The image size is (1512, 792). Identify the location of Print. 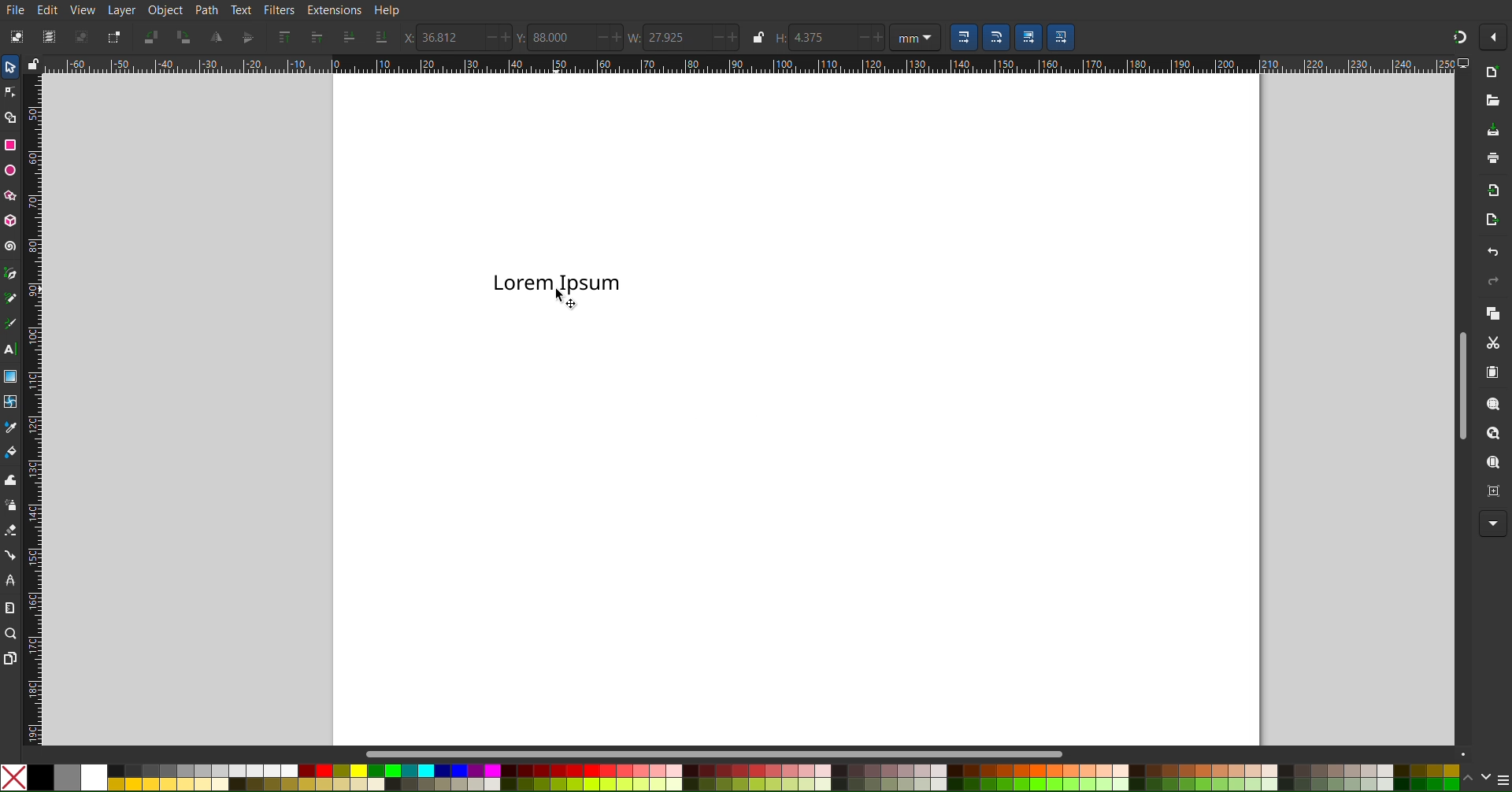
(1492, 157).